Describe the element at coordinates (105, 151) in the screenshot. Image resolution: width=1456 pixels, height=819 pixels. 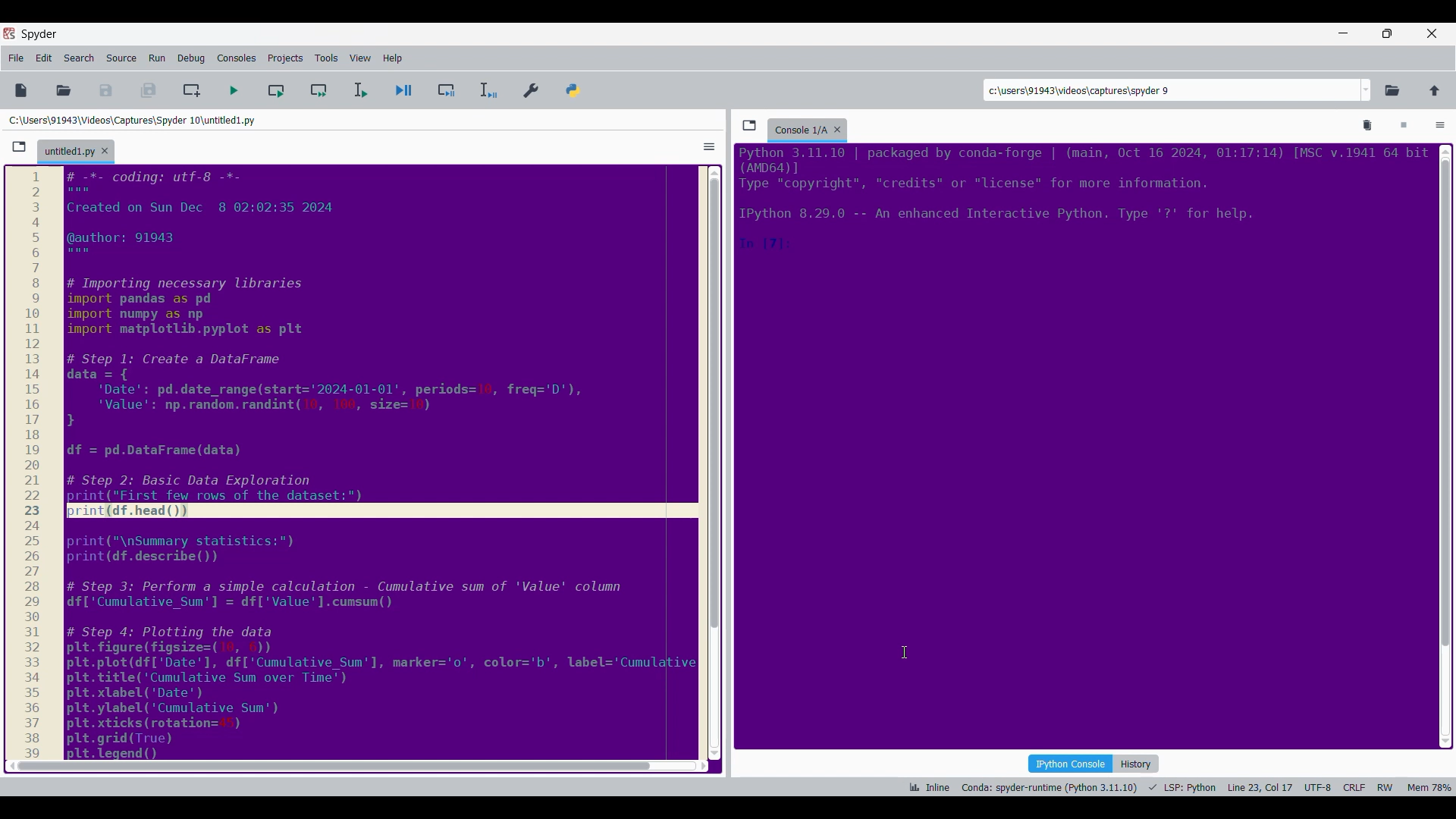
I see `Close tab` at that location.